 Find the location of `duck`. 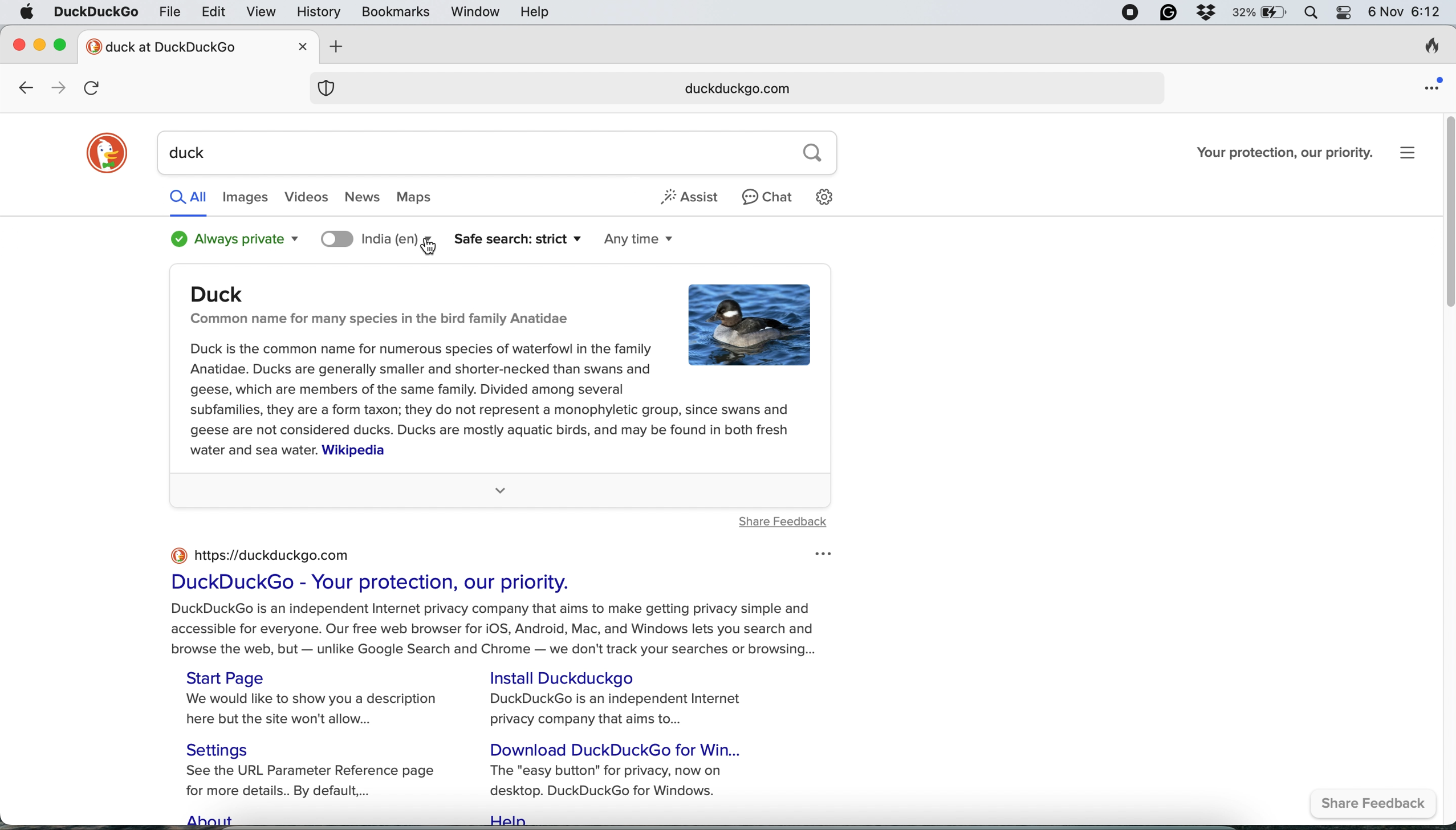

duck is located at coordinates (469, 153).